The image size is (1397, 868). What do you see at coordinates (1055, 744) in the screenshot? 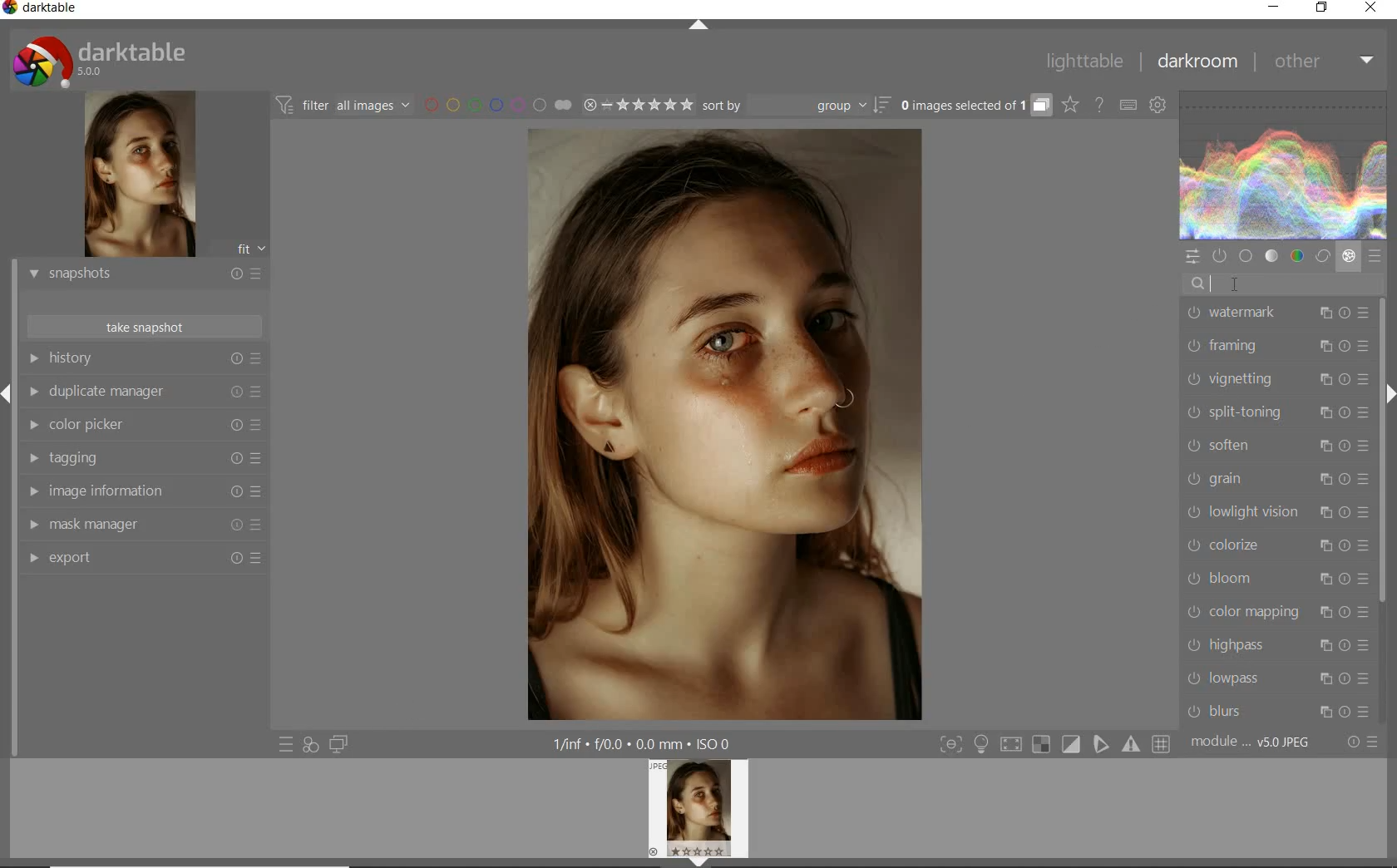
I see `toggle modes` at bounding box center [1055, 744].